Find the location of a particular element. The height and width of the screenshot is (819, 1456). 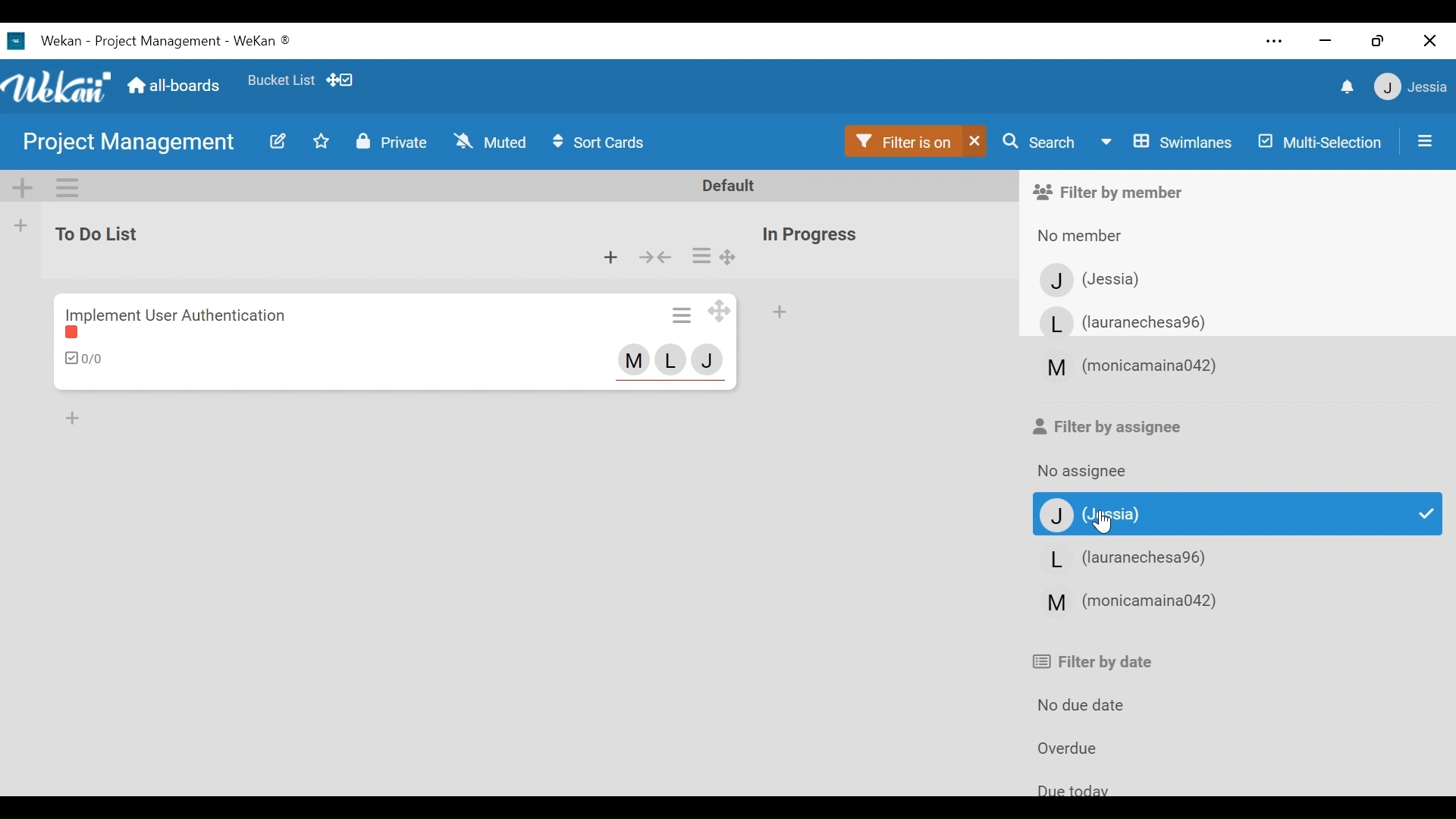

Member selected is located at coordinates (1238, 514).